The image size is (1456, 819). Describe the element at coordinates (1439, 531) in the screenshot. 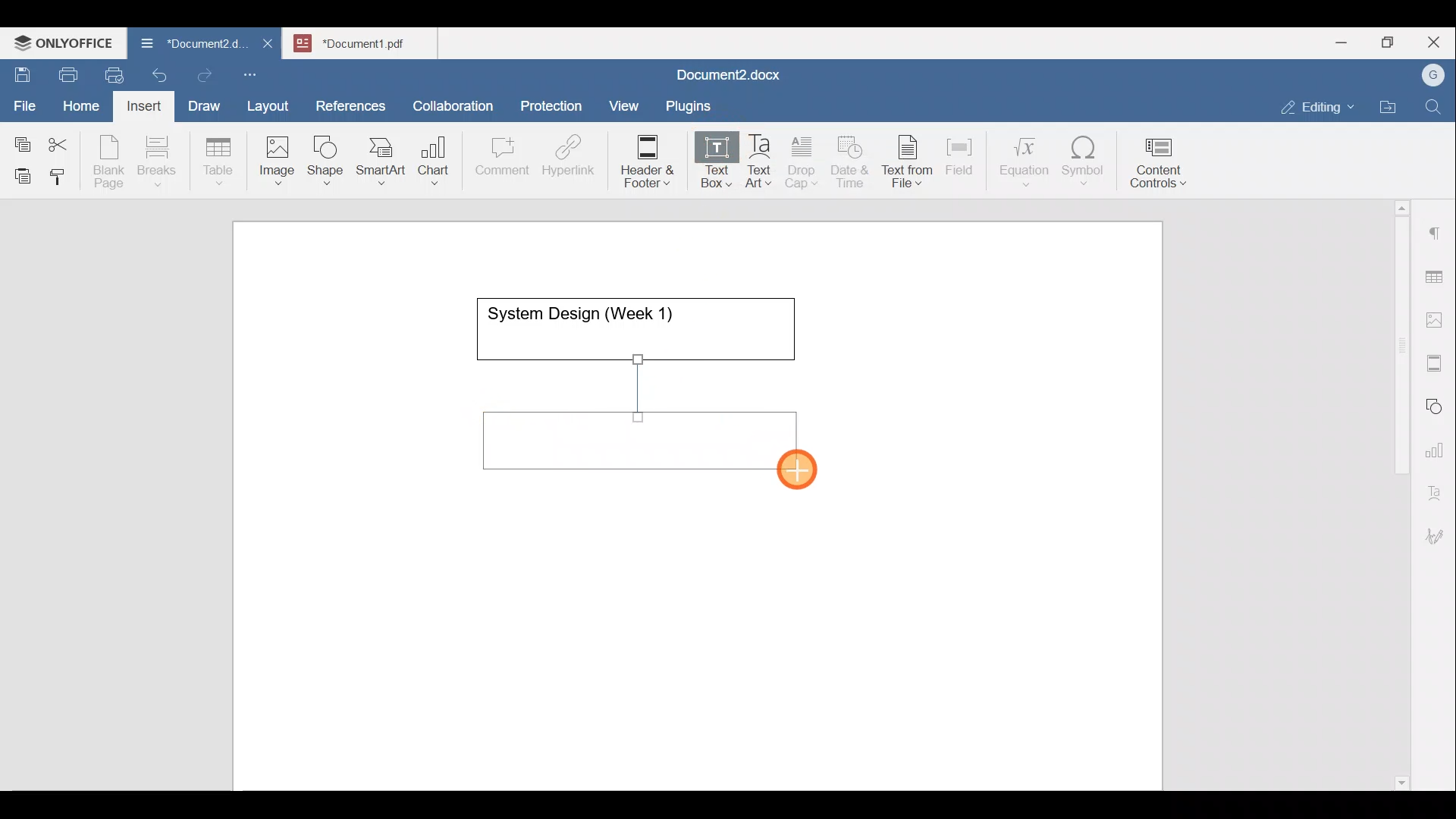

I see `Signature settings` at that location.